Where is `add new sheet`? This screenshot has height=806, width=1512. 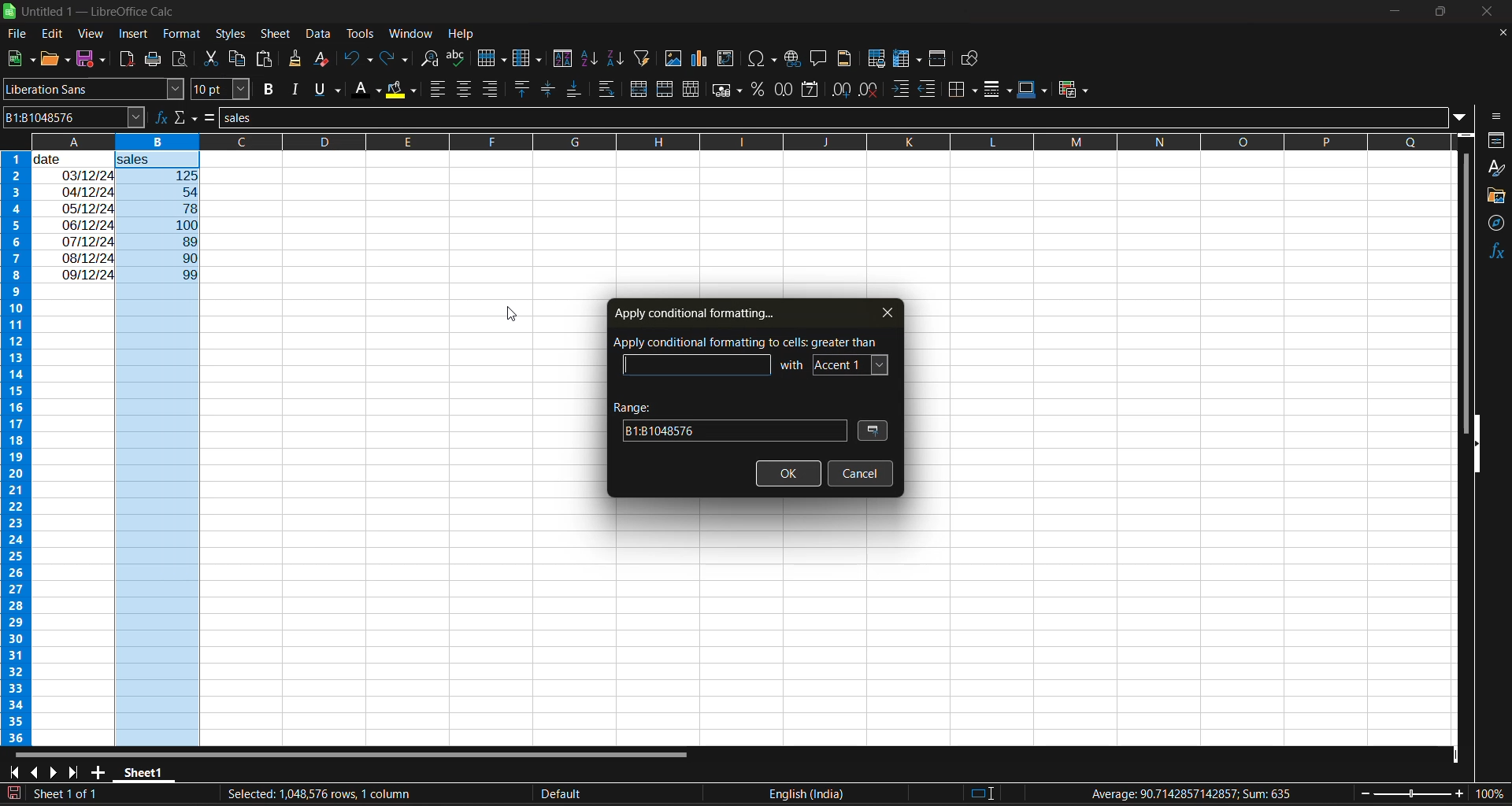 add new sheet is located at coordinates (99, 771).